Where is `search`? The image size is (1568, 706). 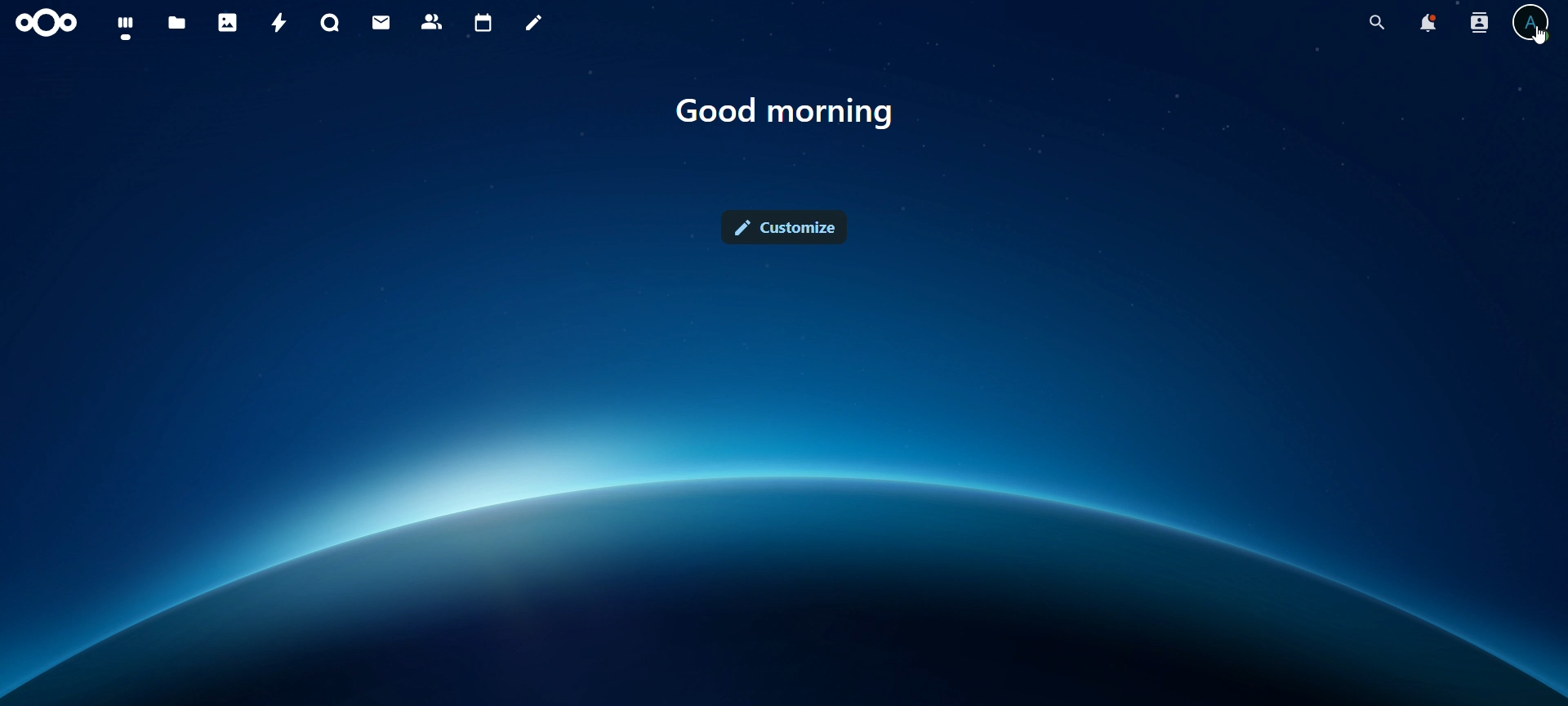 search is located at coordinates (1375, 20).